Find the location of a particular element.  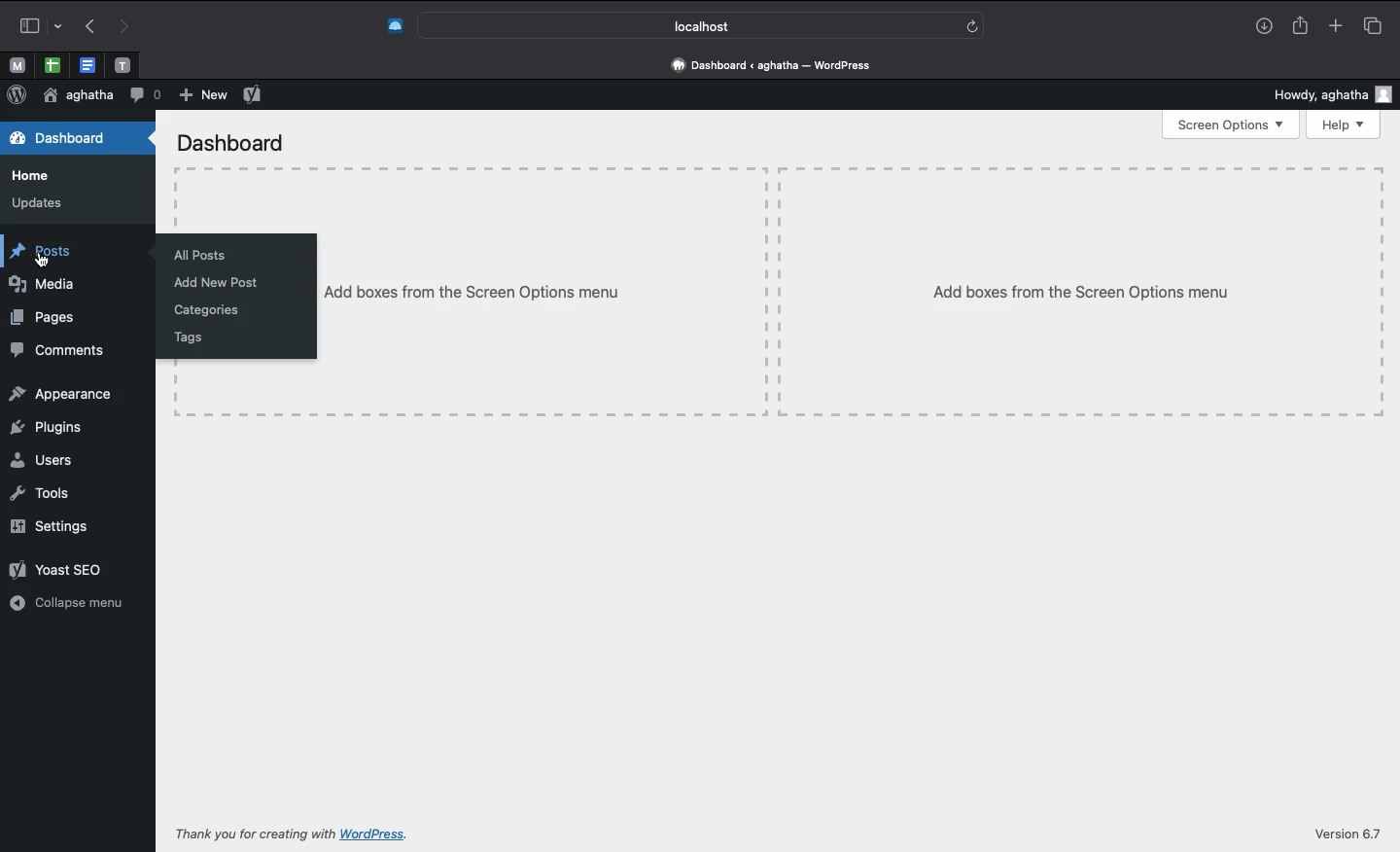

Collapse menu is located at coordinates (67, 604).